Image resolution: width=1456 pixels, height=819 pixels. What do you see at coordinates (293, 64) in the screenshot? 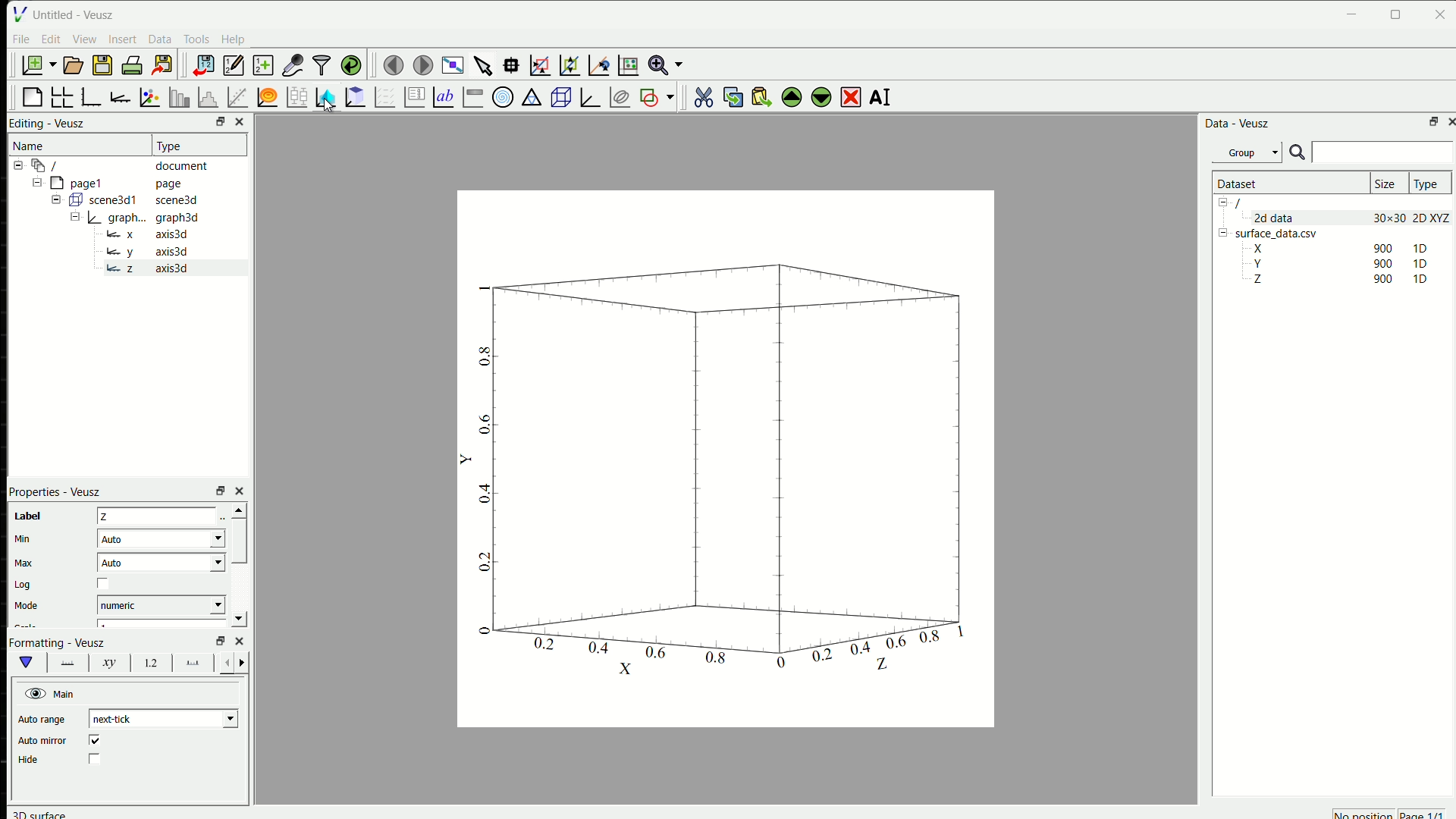
I see `capture remote data` at bounding box center [293, 64].